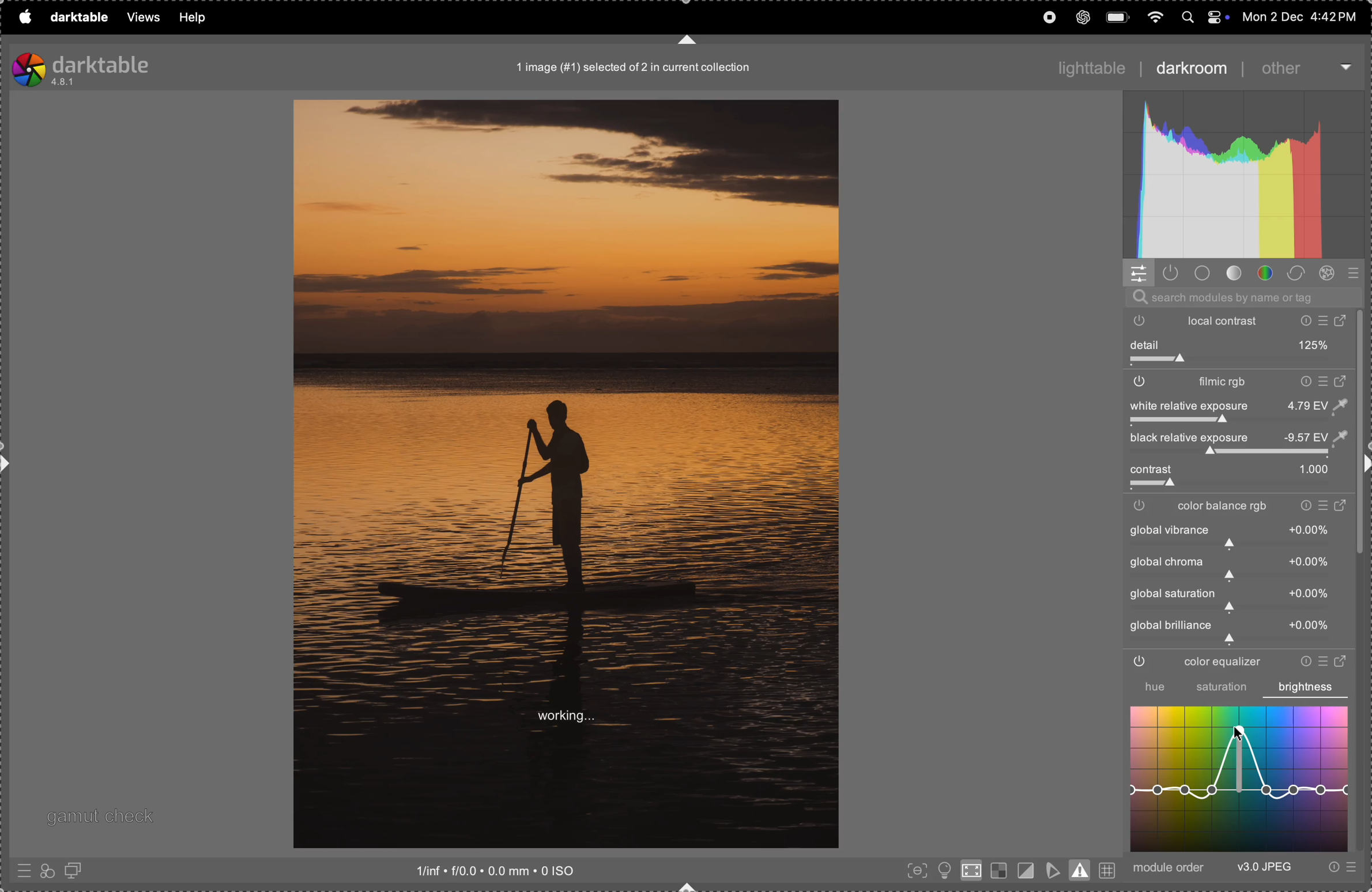 Image resolution: width=1372 pixels, height=892 pixels. Describe the element at coordinates (1171, 868) in the screenshot. I see `module order` at that location.